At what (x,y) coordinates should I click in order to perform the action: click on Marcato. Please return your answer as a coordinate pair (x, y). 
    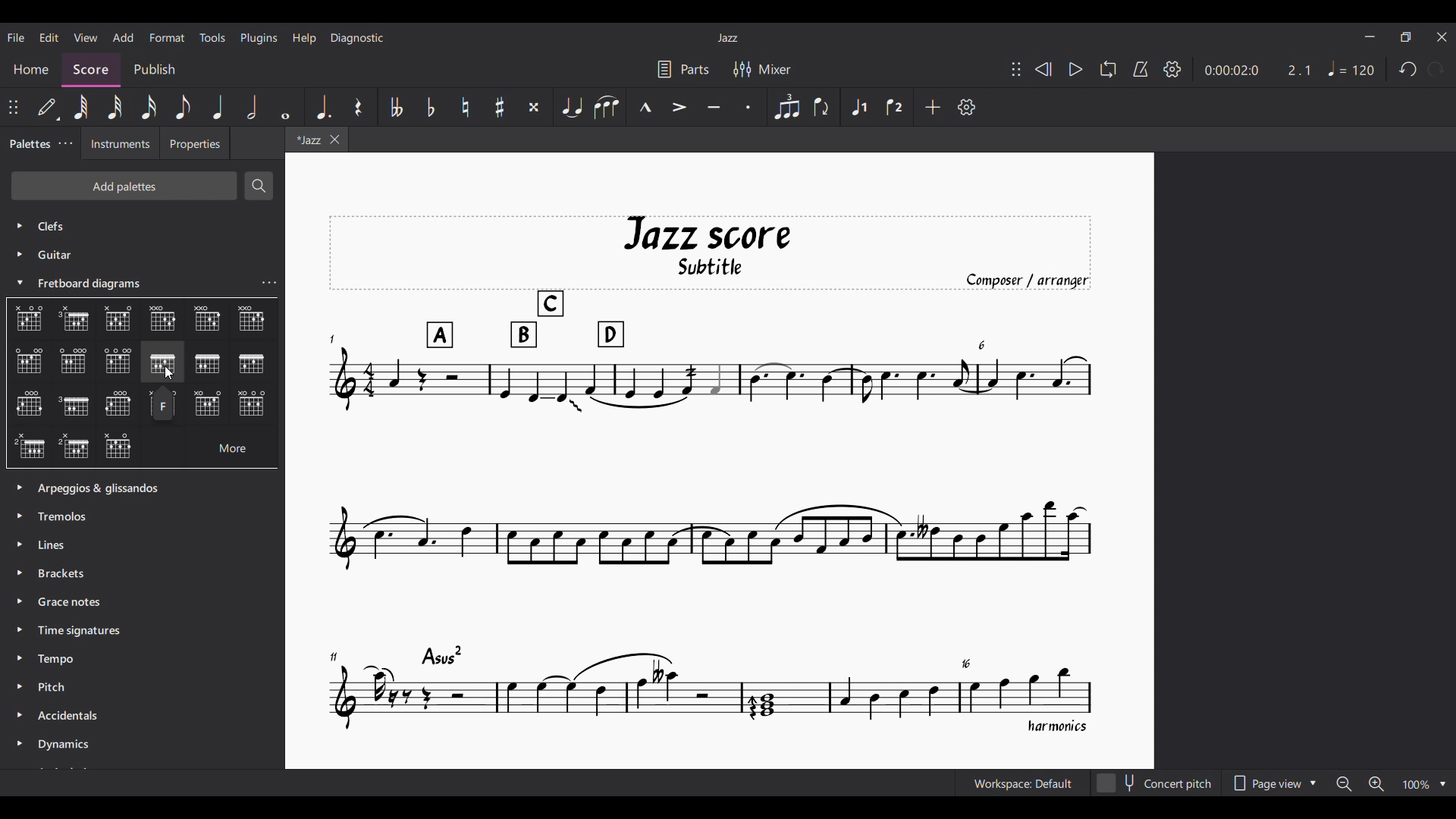
    Looking at the image, I should click on (644, 106).